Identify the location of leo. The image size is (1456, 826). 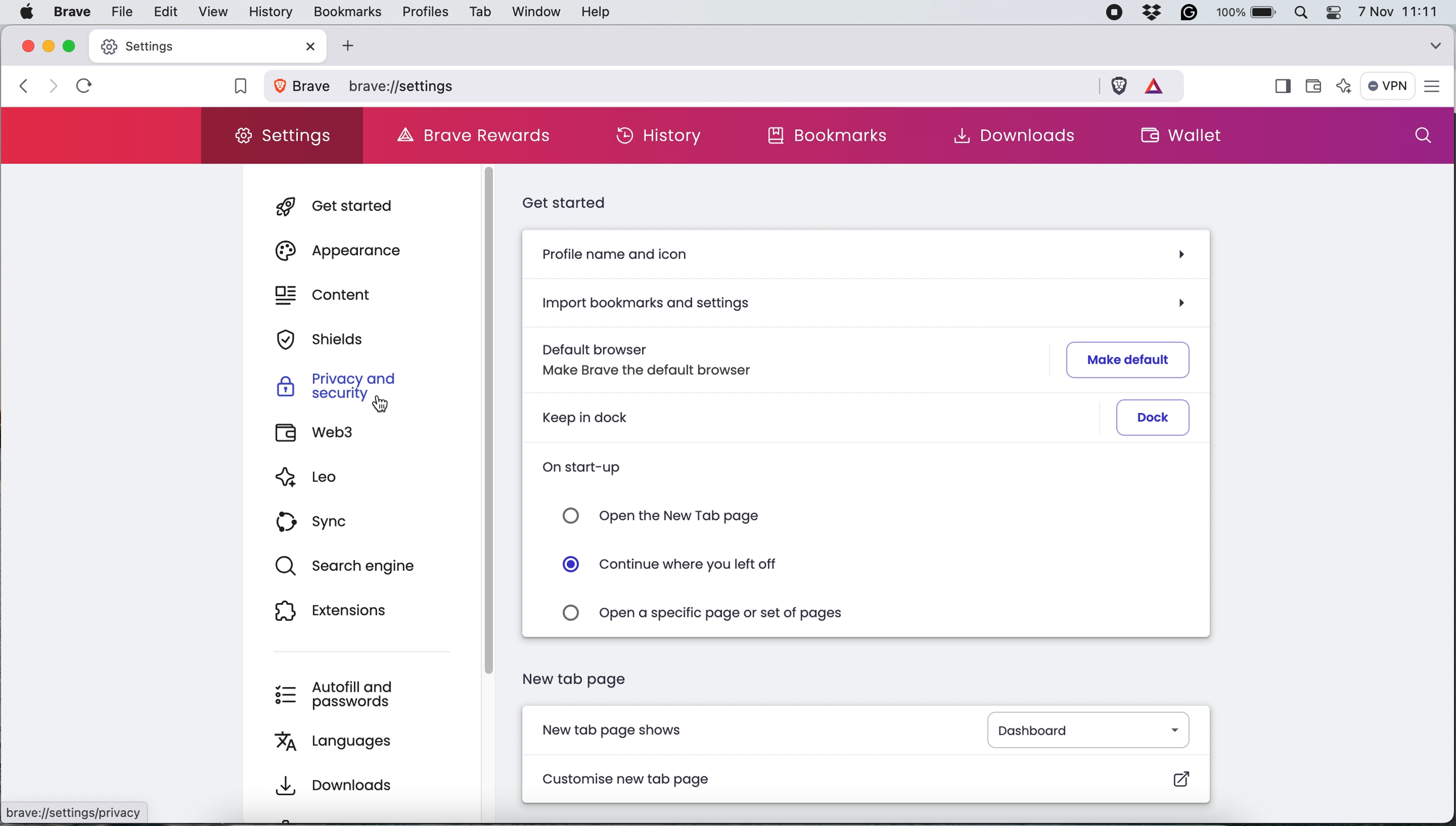
(318, 481).